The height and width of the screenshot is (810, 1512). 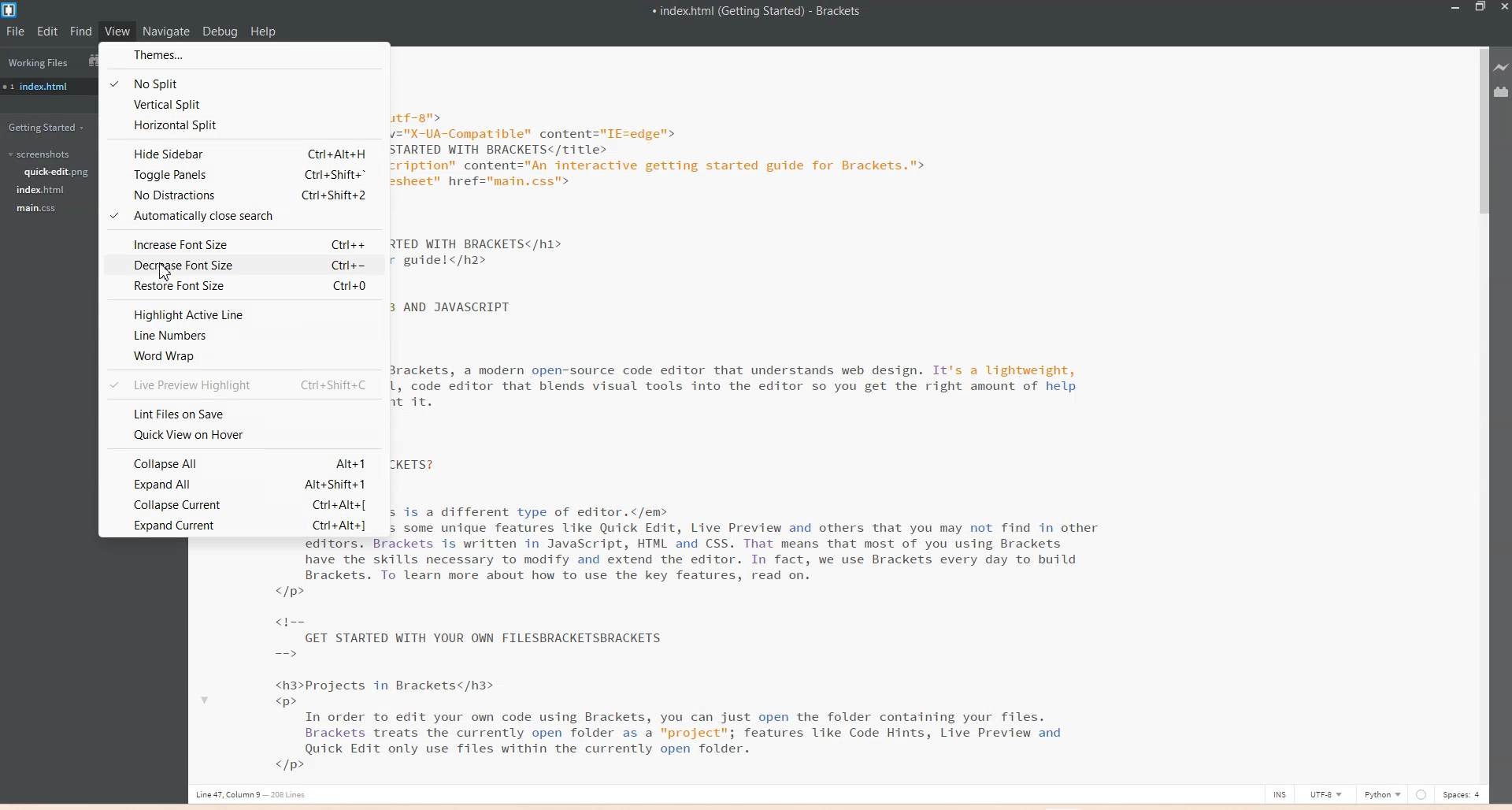 I want to click on Close, so click(x=1503, y=9).